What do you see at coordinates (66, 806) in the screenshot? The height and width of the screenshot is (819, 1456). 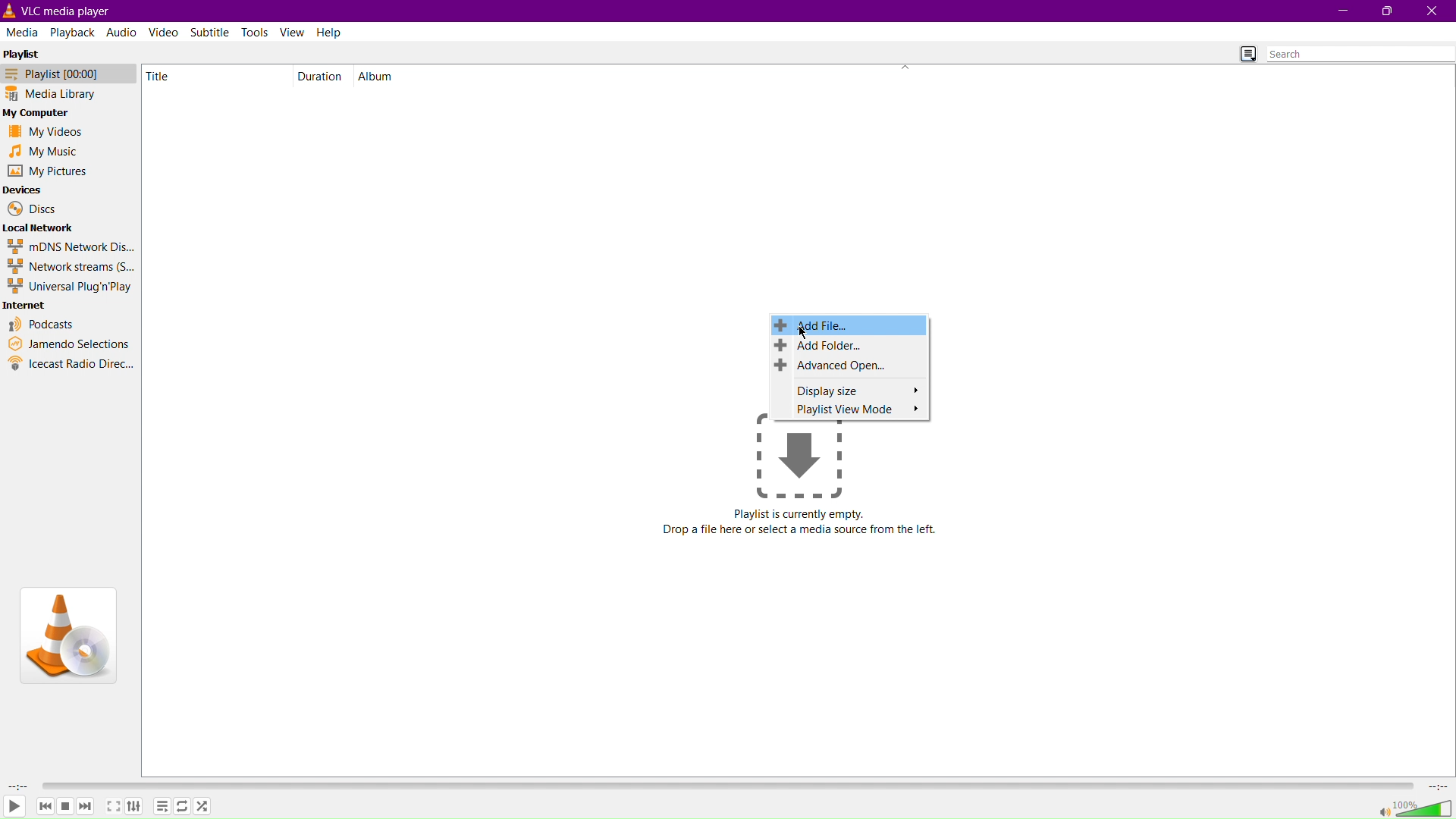 I see `Stop` at bounding box center [66, 806].